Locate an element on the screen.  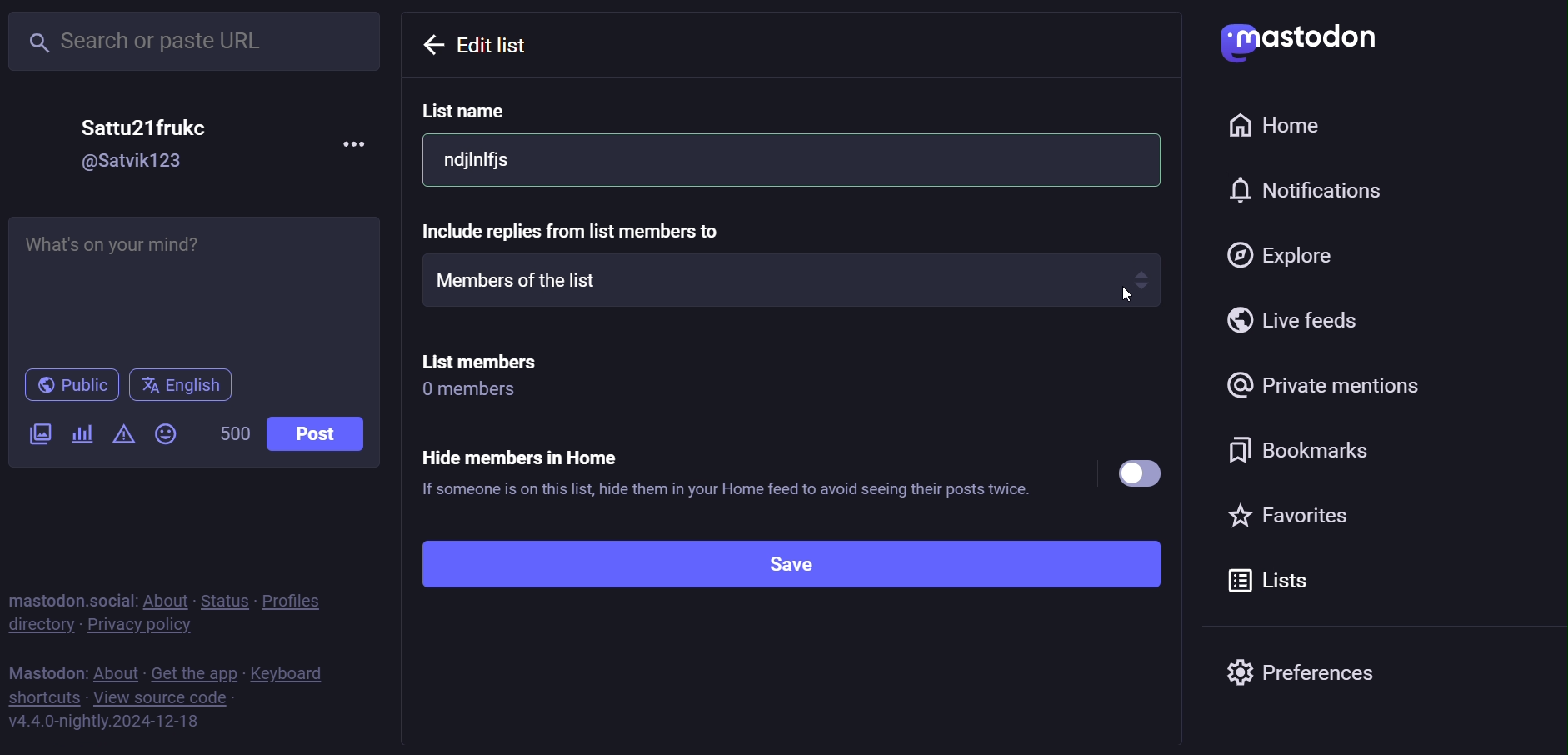
explore is located at coordinates (1278, 254).